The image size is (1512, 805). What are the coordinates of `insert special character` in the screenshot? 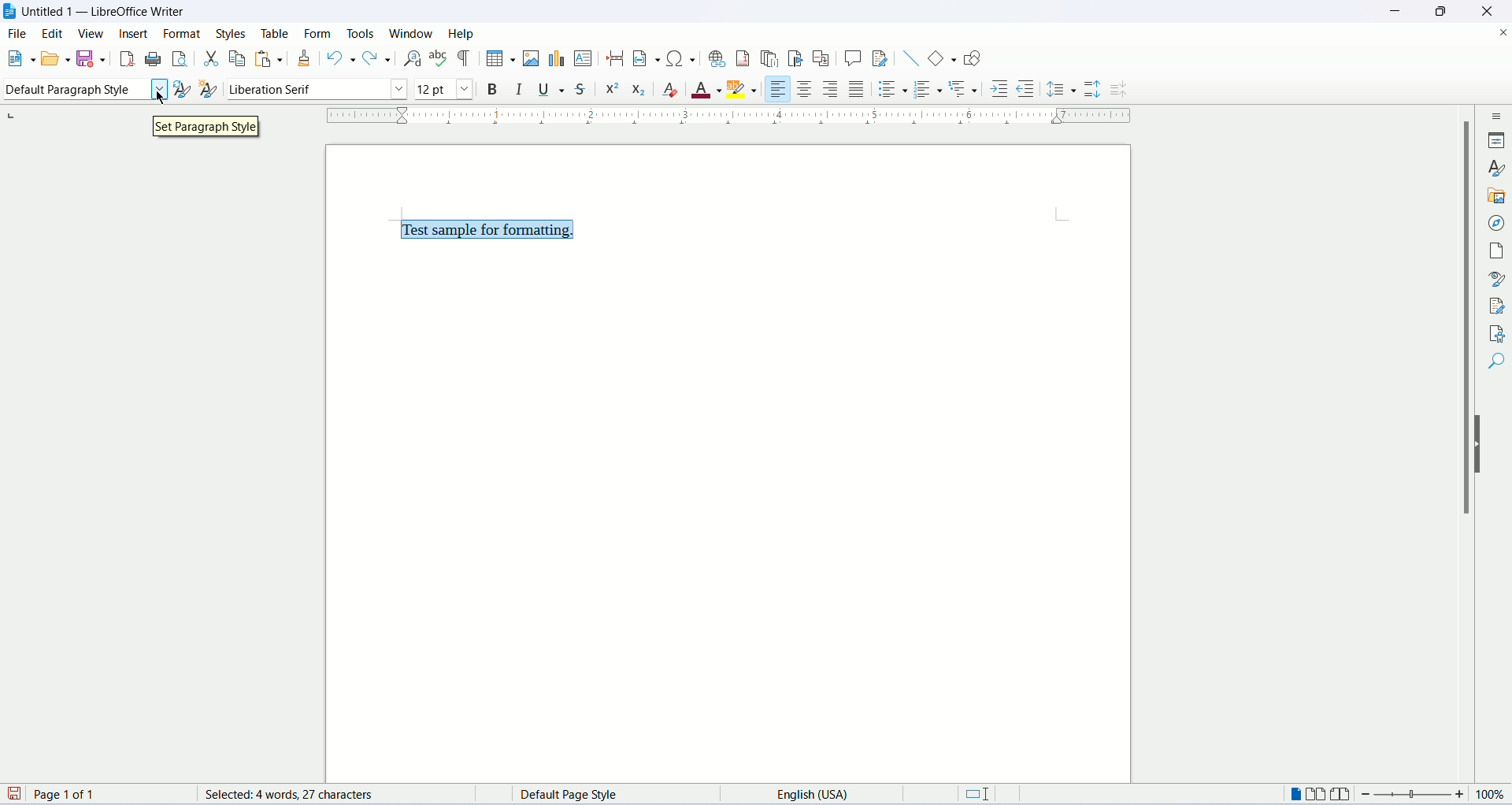 It's located at (678, 58).